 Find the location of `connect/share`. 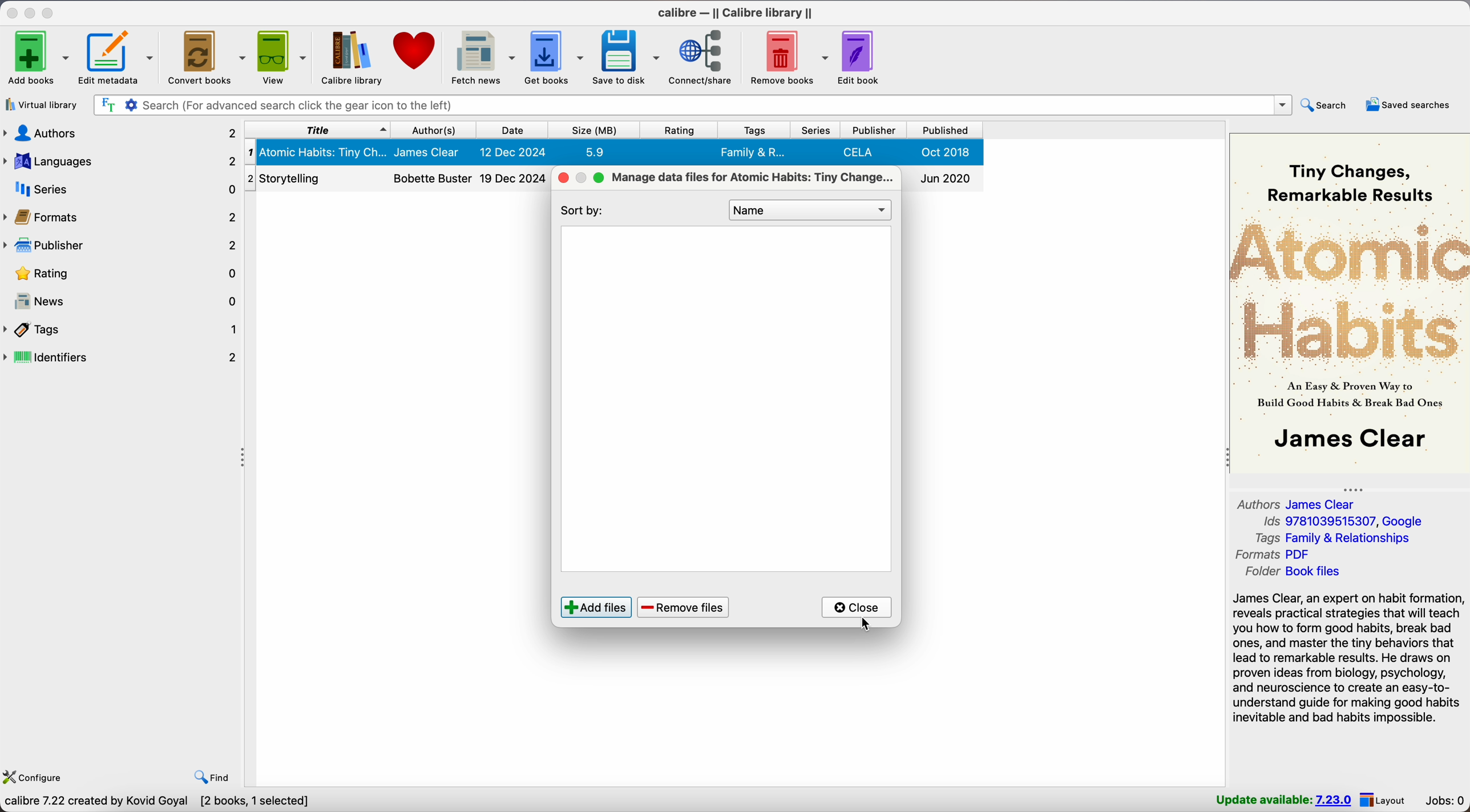

connect/share is located at coordinates (704, 58).